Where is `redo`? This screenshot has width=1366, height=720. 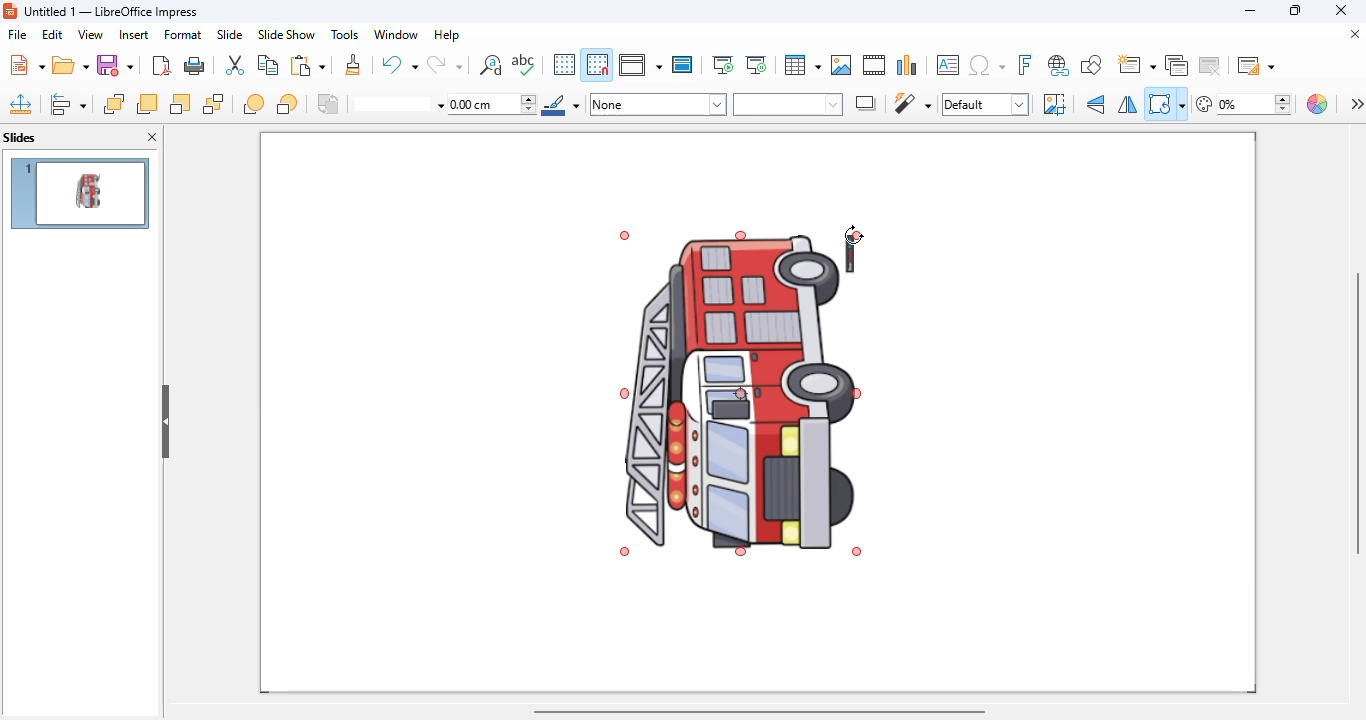 redo is located at coordinates (444, 64).